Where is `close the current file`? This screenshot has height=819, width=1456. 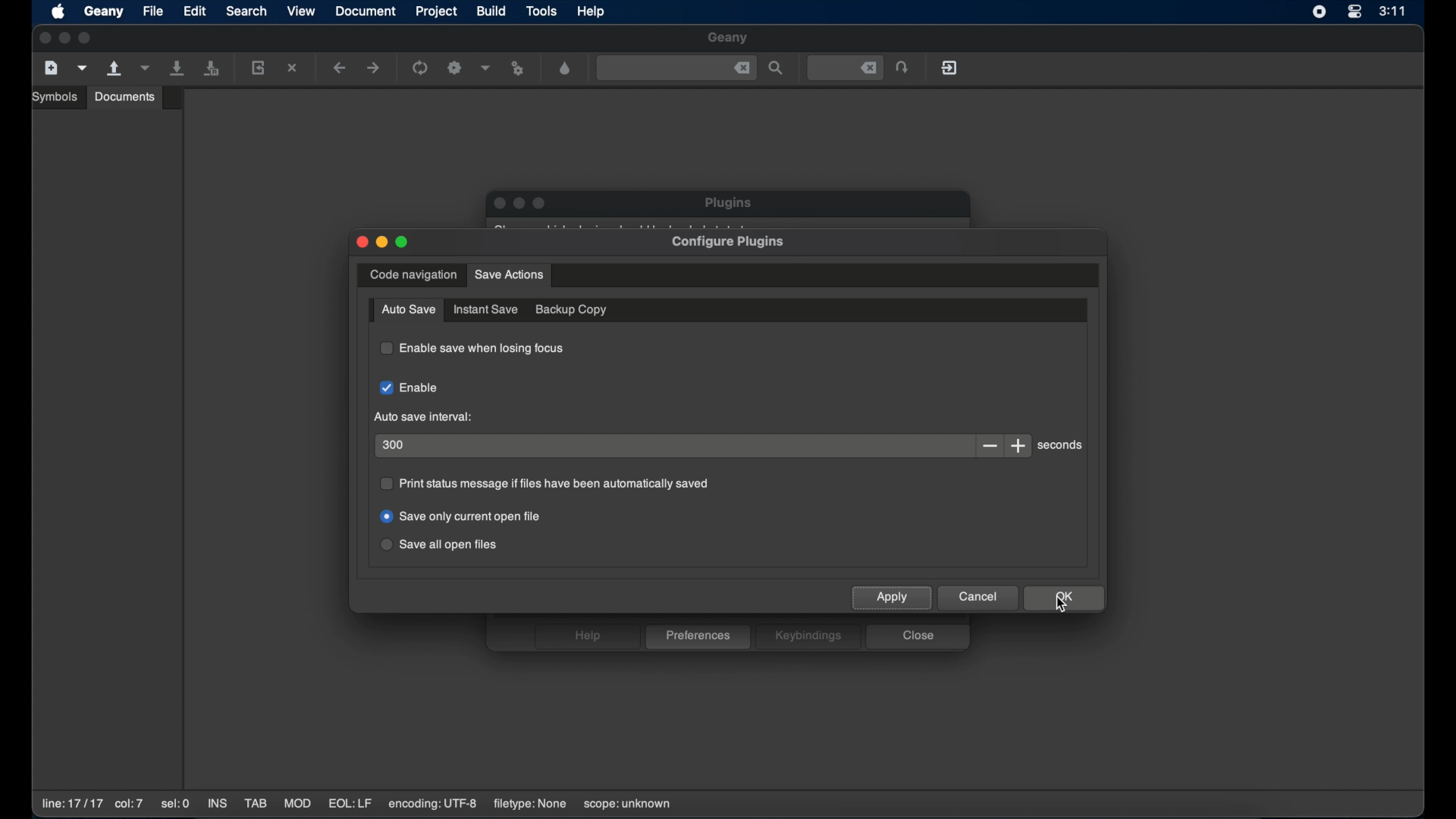 close the current file is located at coordinates (293, 69).